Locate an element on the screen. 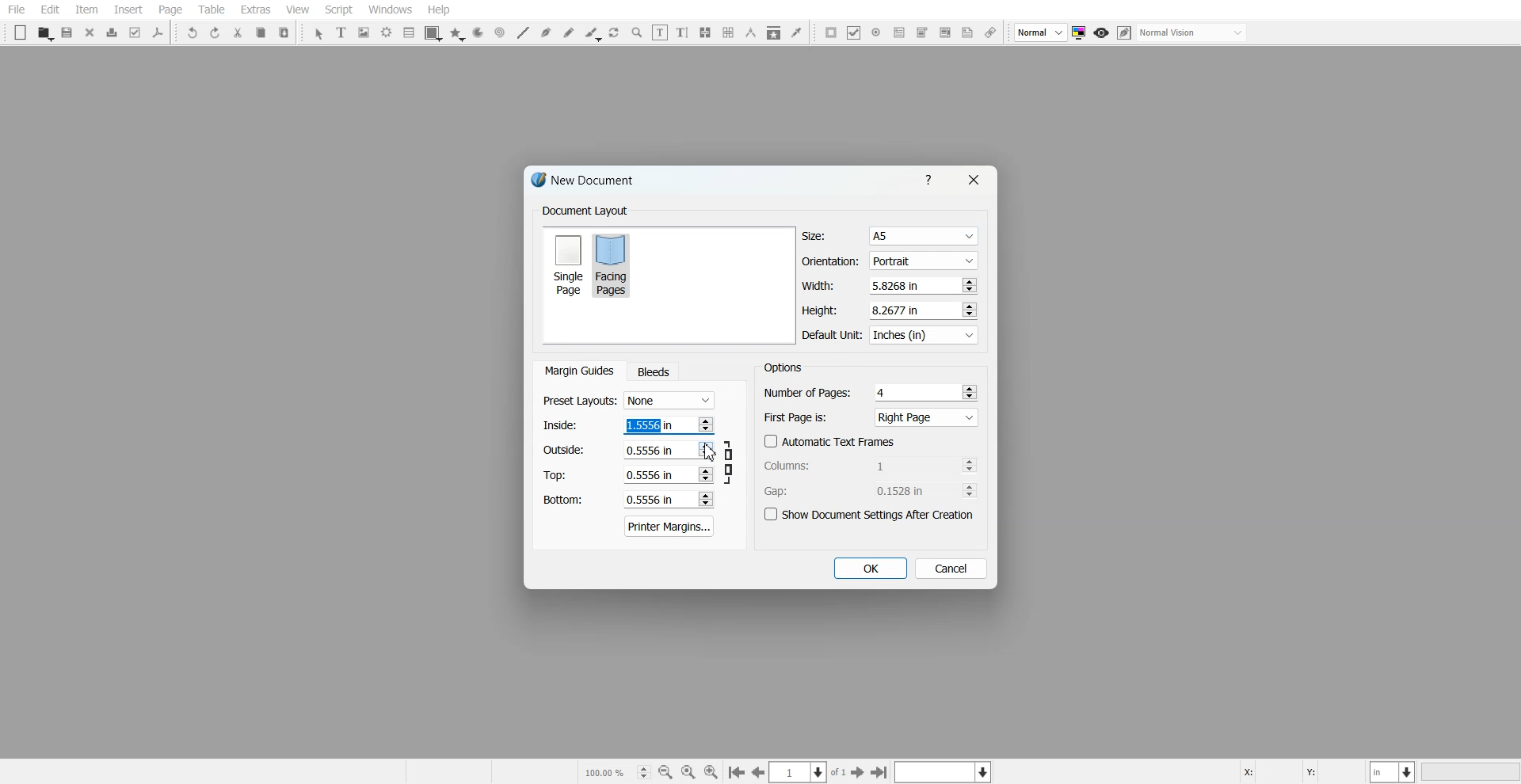  Rotate Item is located at coordinates (616, 33).